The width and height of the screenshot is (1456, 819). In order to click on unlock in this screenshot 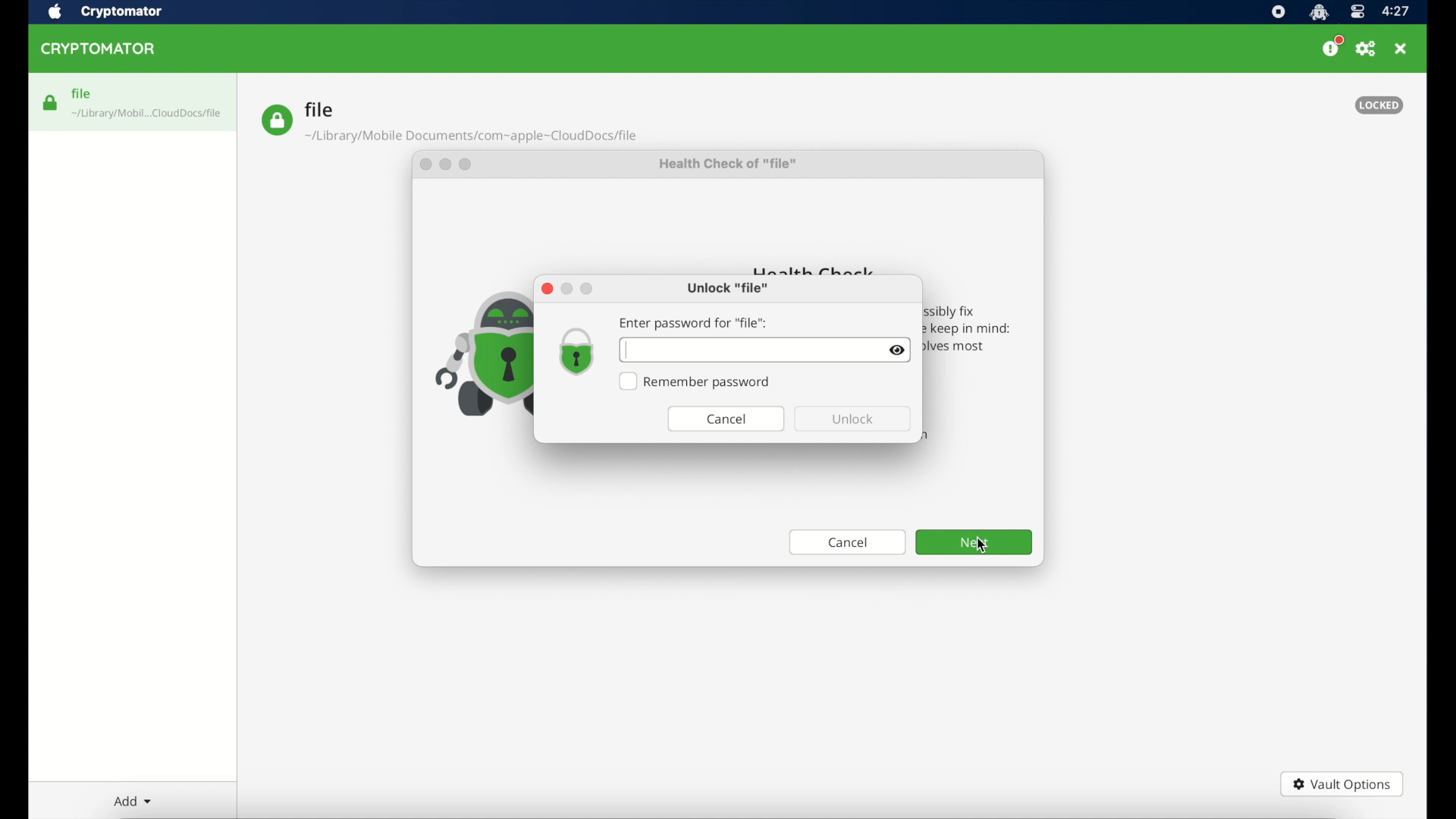, I will do `click(852, 419)`.